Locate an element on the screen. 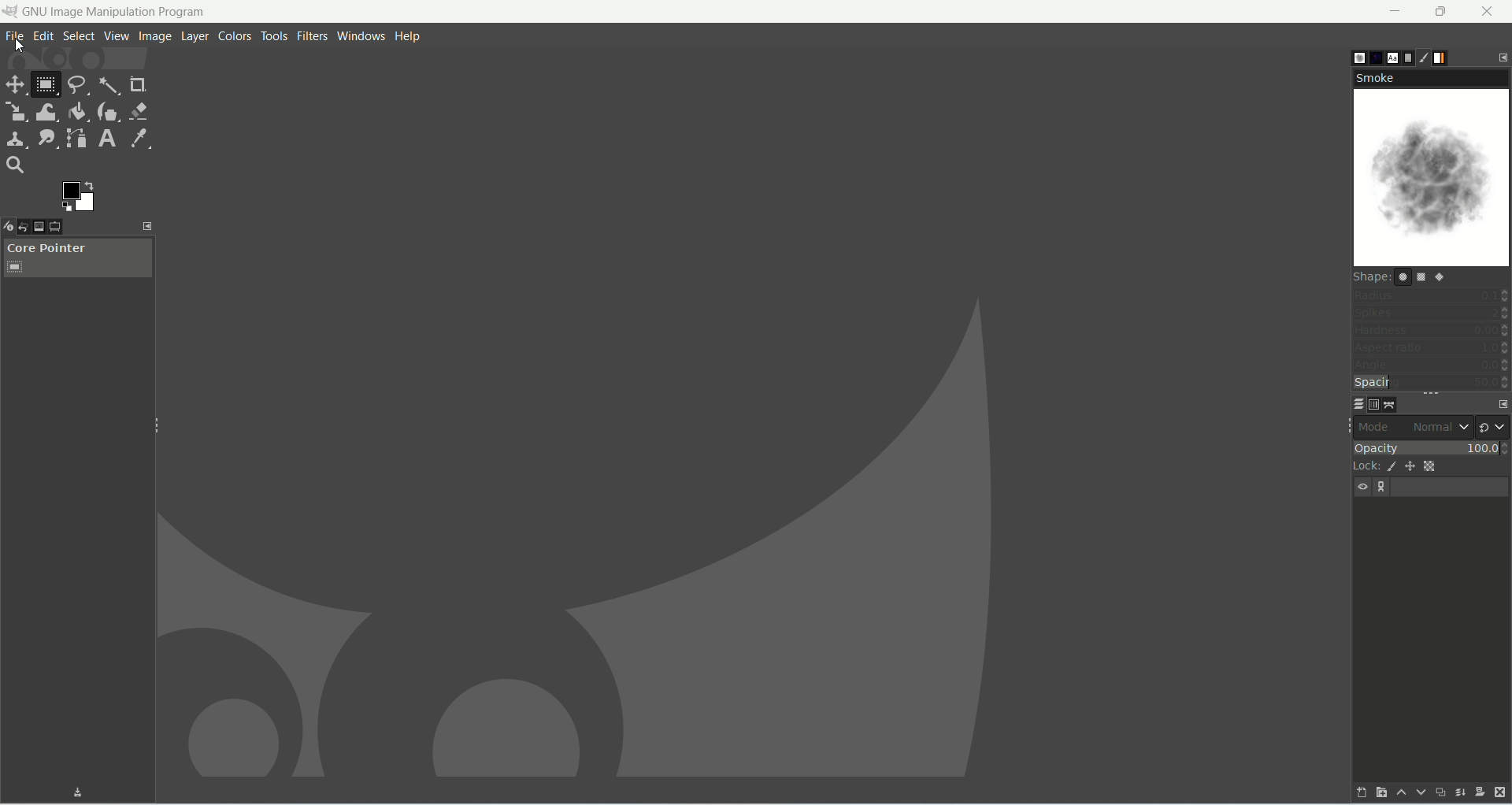  smoke is located at coordinates (1433, 179).